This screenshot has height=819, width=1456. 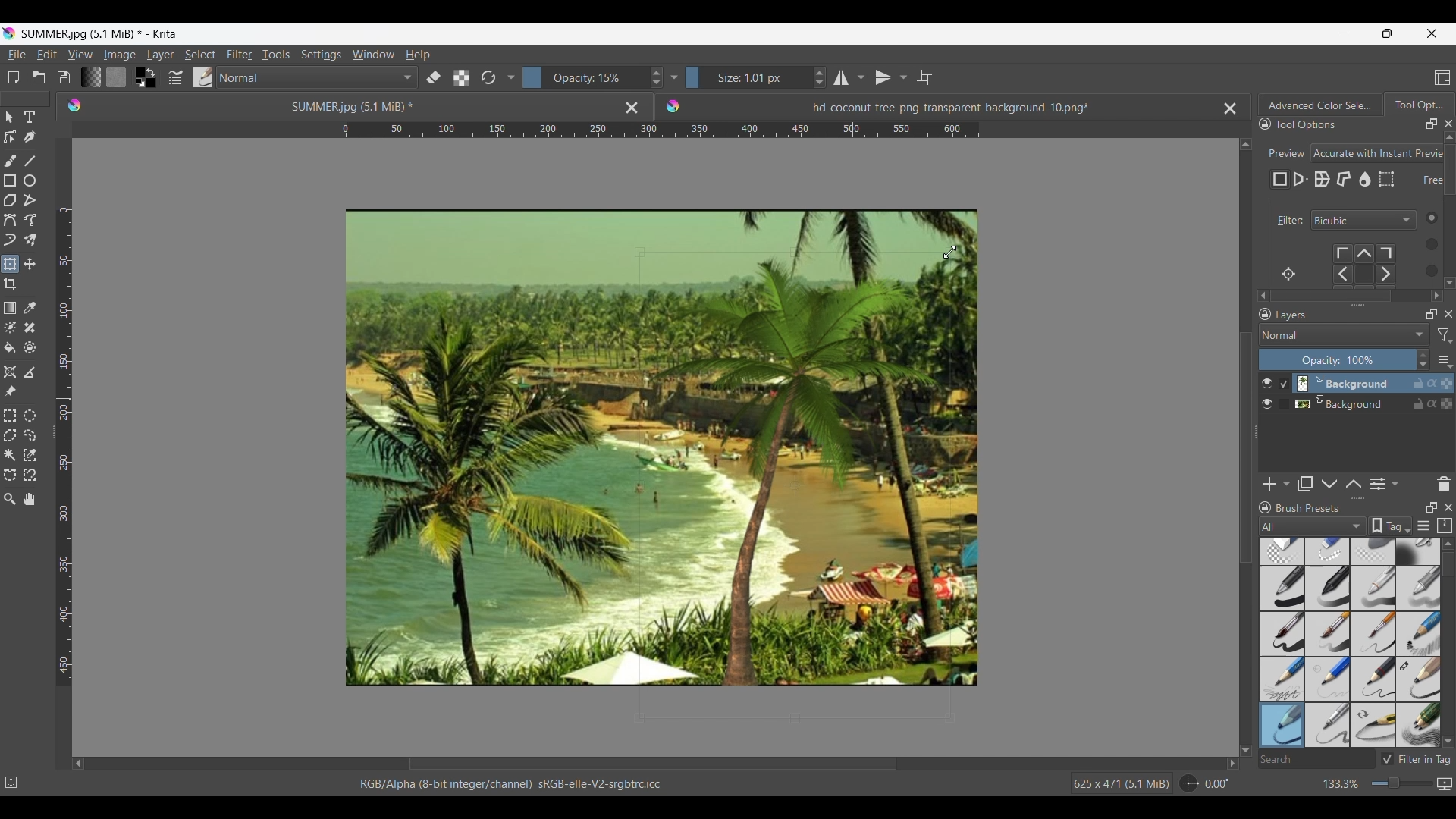 What do you see at coordinates (1378, 485) in the screenshot?
I see `Edit layer properties` at bounding box center [1378, 485].